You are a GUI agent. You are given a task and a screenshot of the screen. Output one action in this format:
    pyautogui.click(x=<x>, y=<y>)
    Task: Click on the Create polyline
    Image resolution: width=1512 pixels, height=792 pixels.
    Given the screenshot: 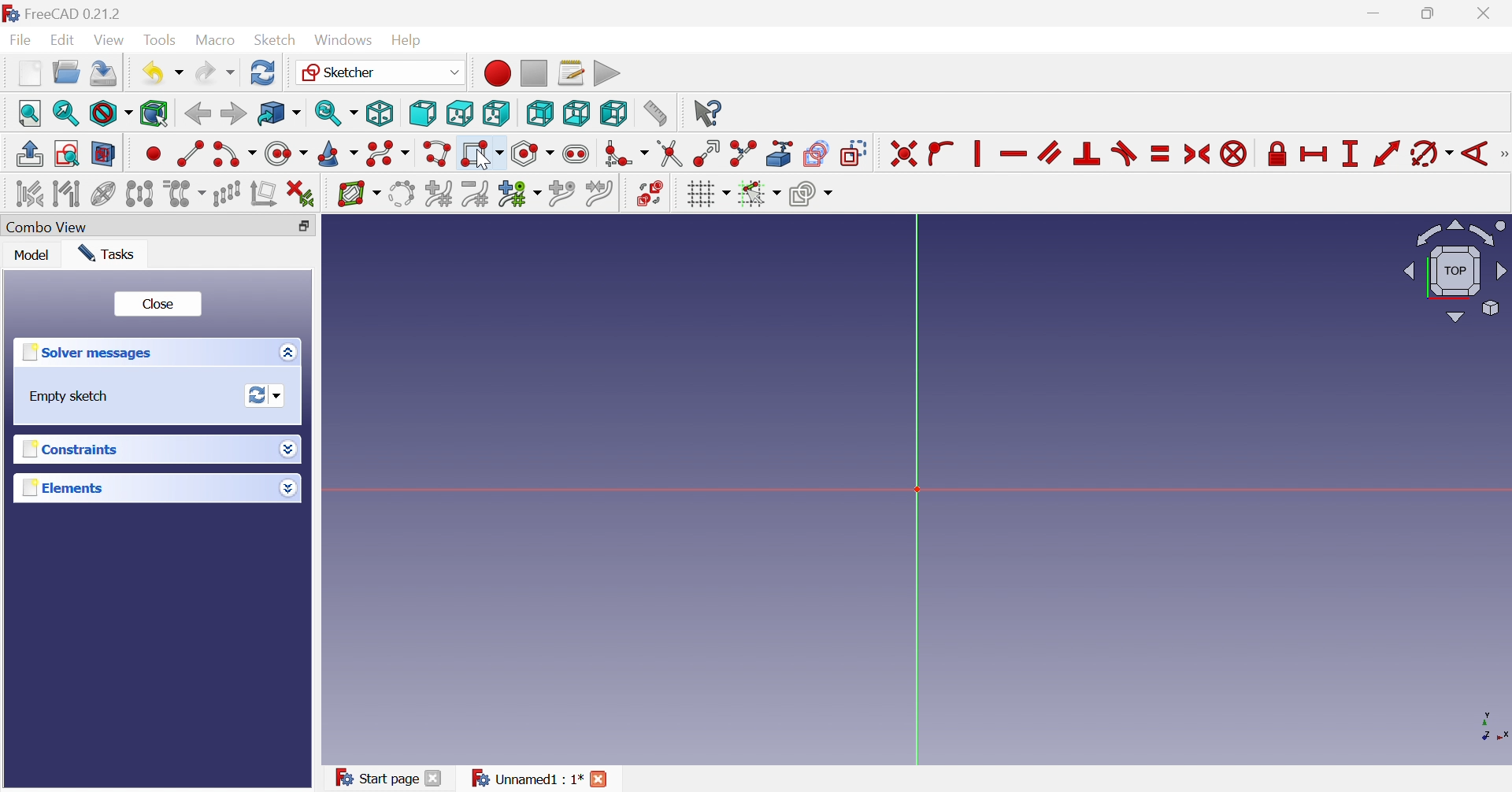 What is the action you would take?
    pyautogui.click(x=436, y=154)
    